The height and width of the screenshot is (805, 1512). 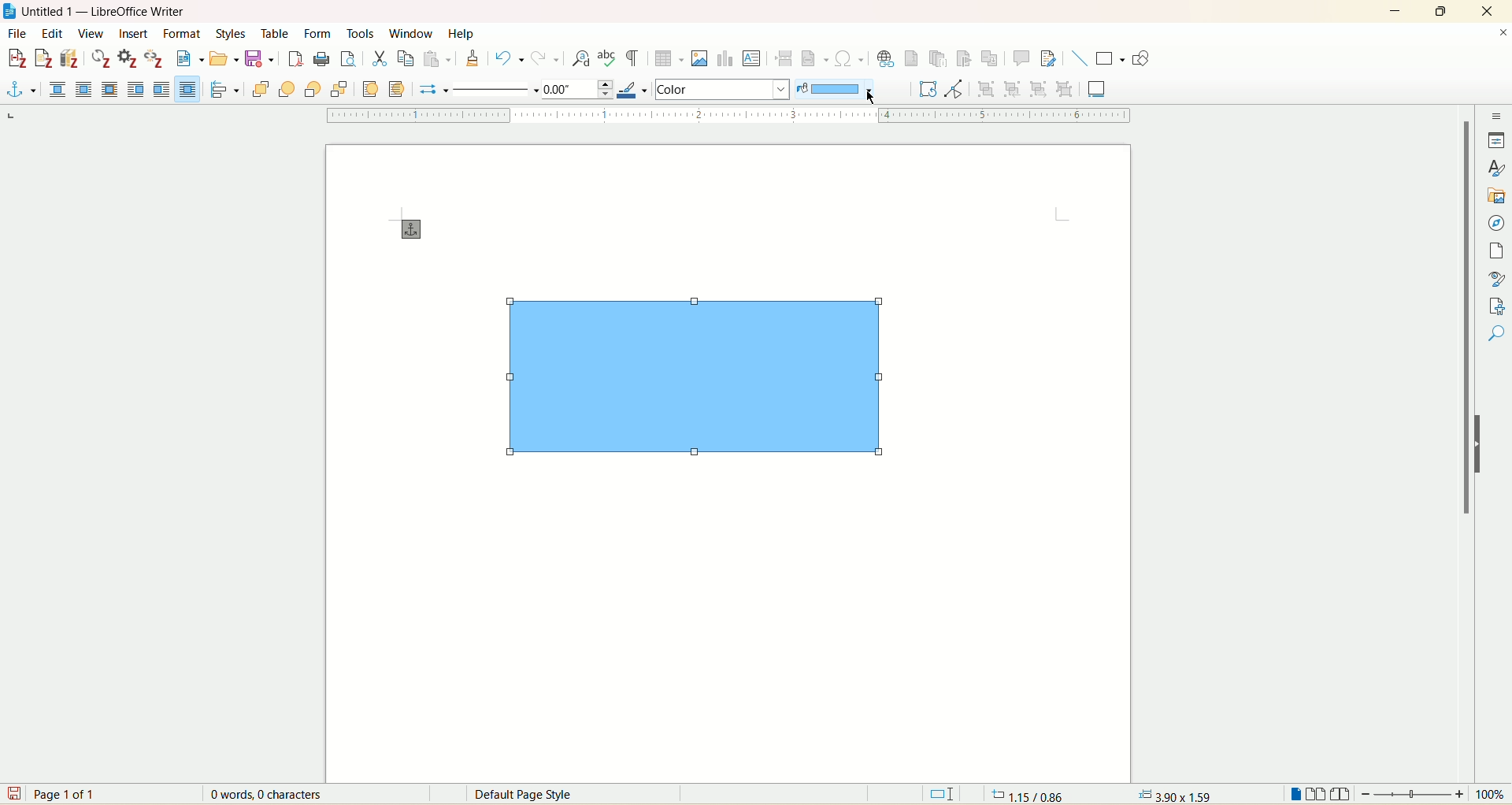 What do you see at coordinates (1046, 58) in the screenshot?
I see `track changes` at bounding box center [1046, 58].